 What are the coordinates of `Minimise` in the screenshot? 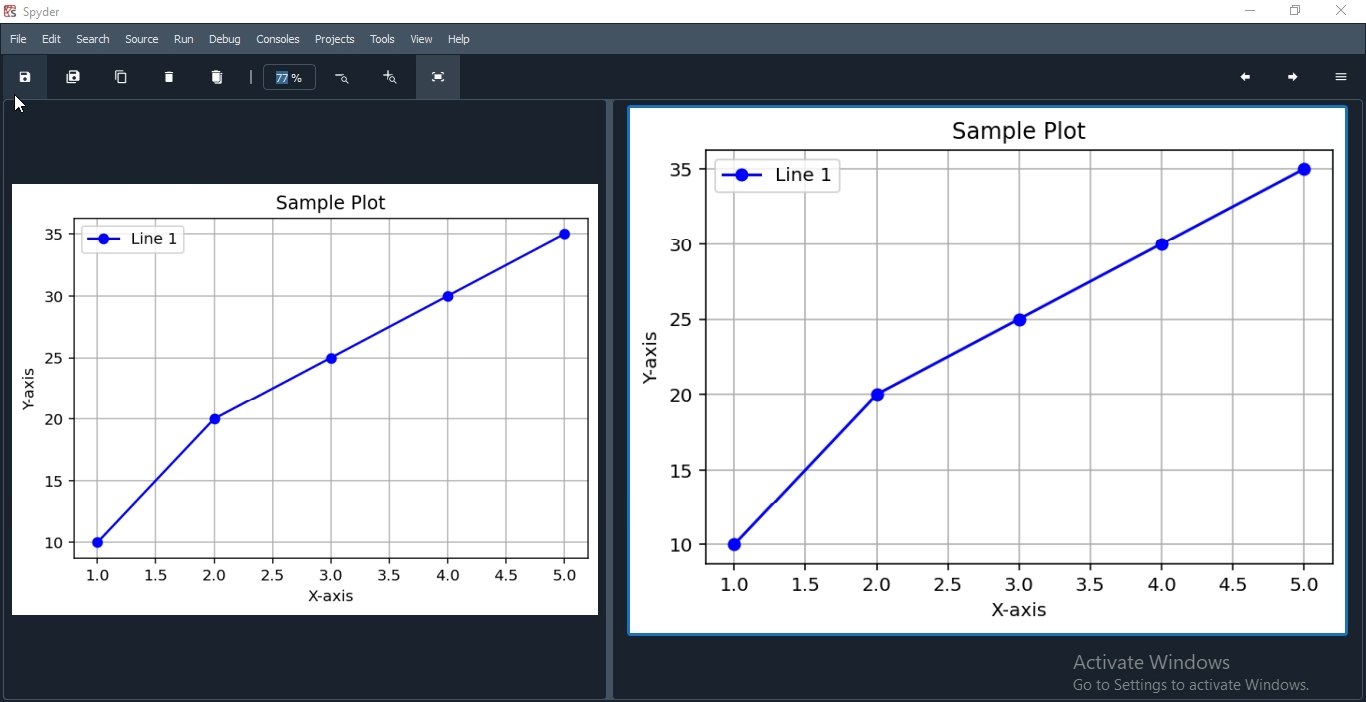 It's located at (1251, 12).